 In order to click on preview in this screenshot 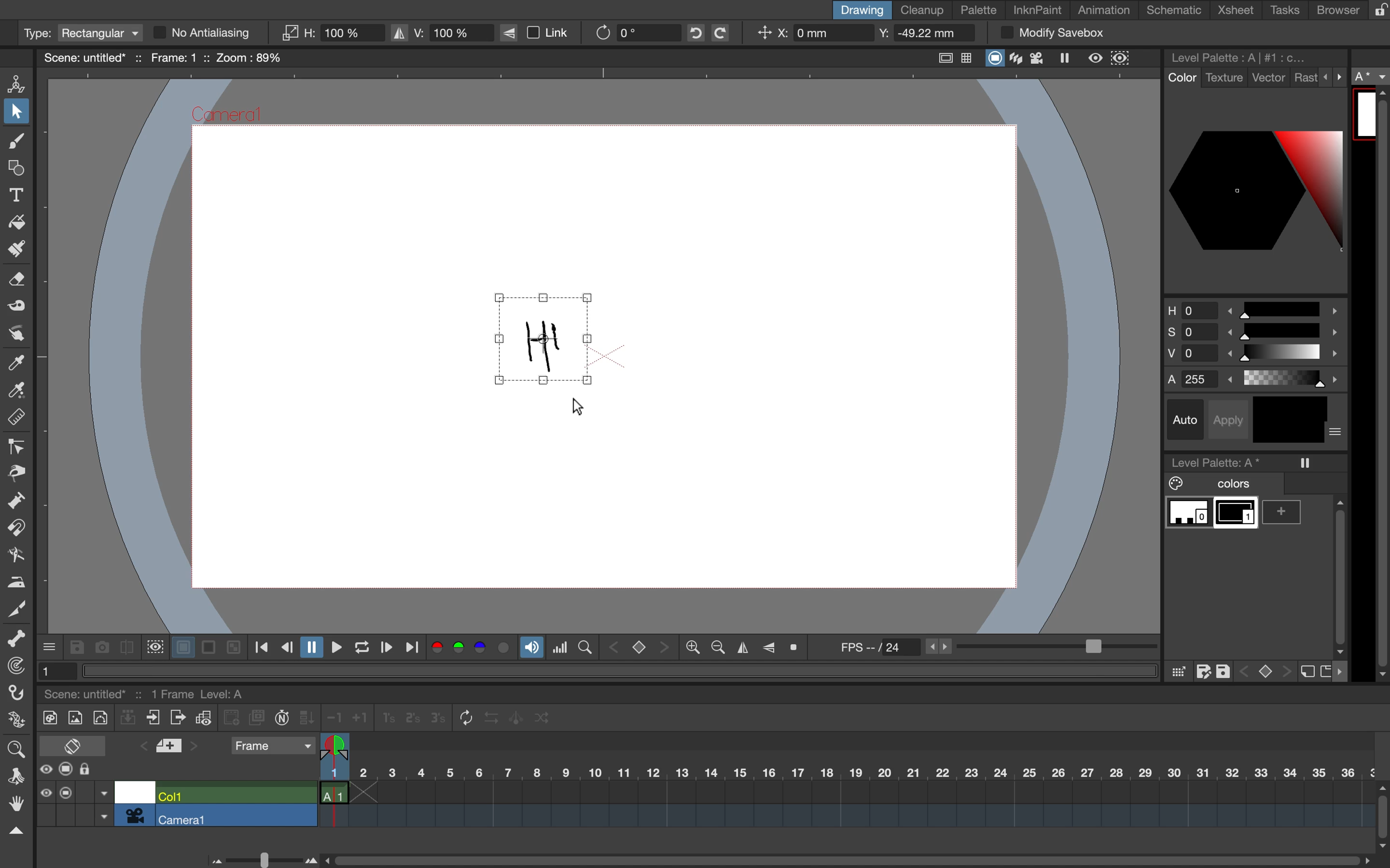, I will do `click(1096, 57)`.